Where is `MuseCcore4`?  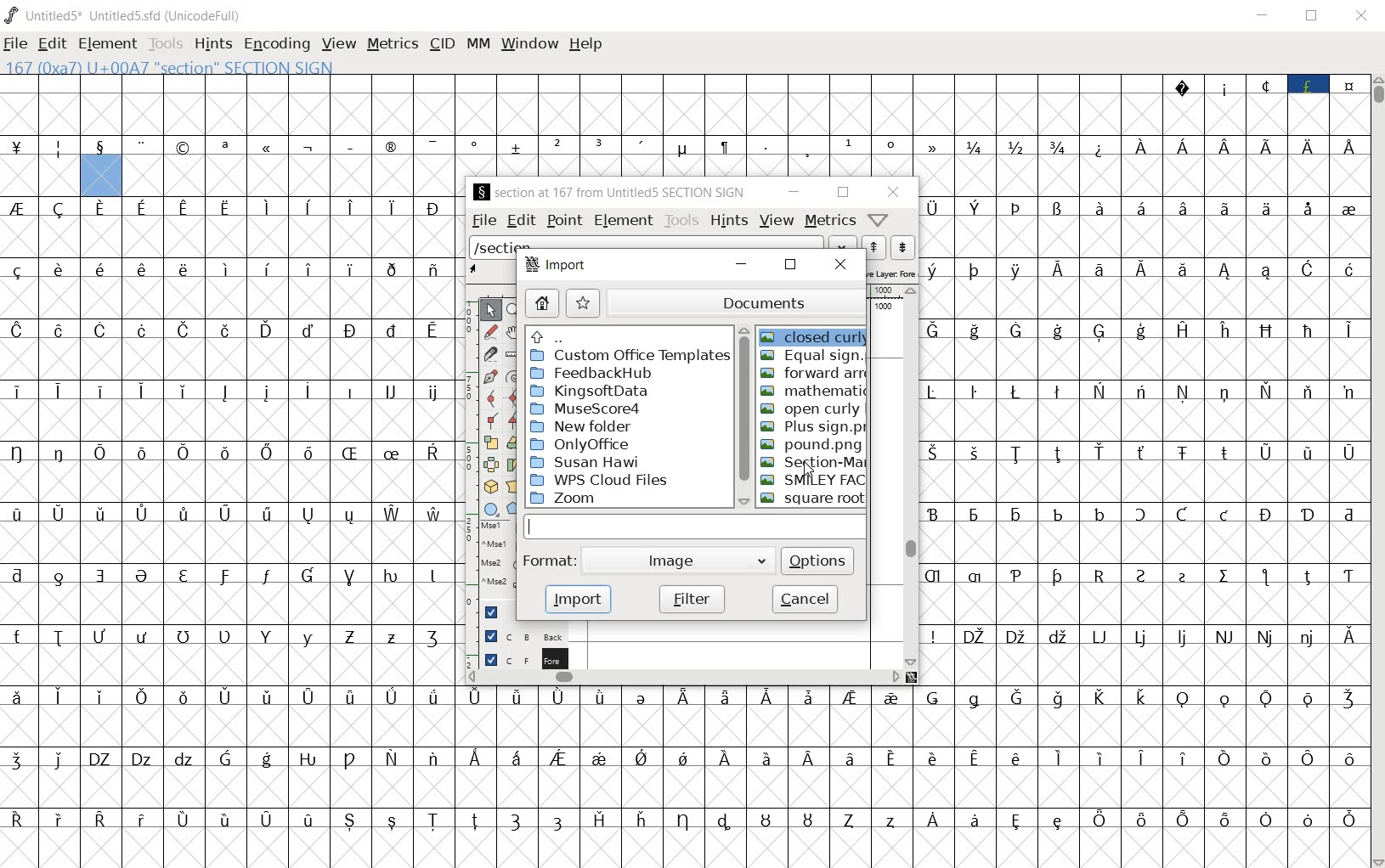 MuseCcore4 is located at coordinates (585, 409).